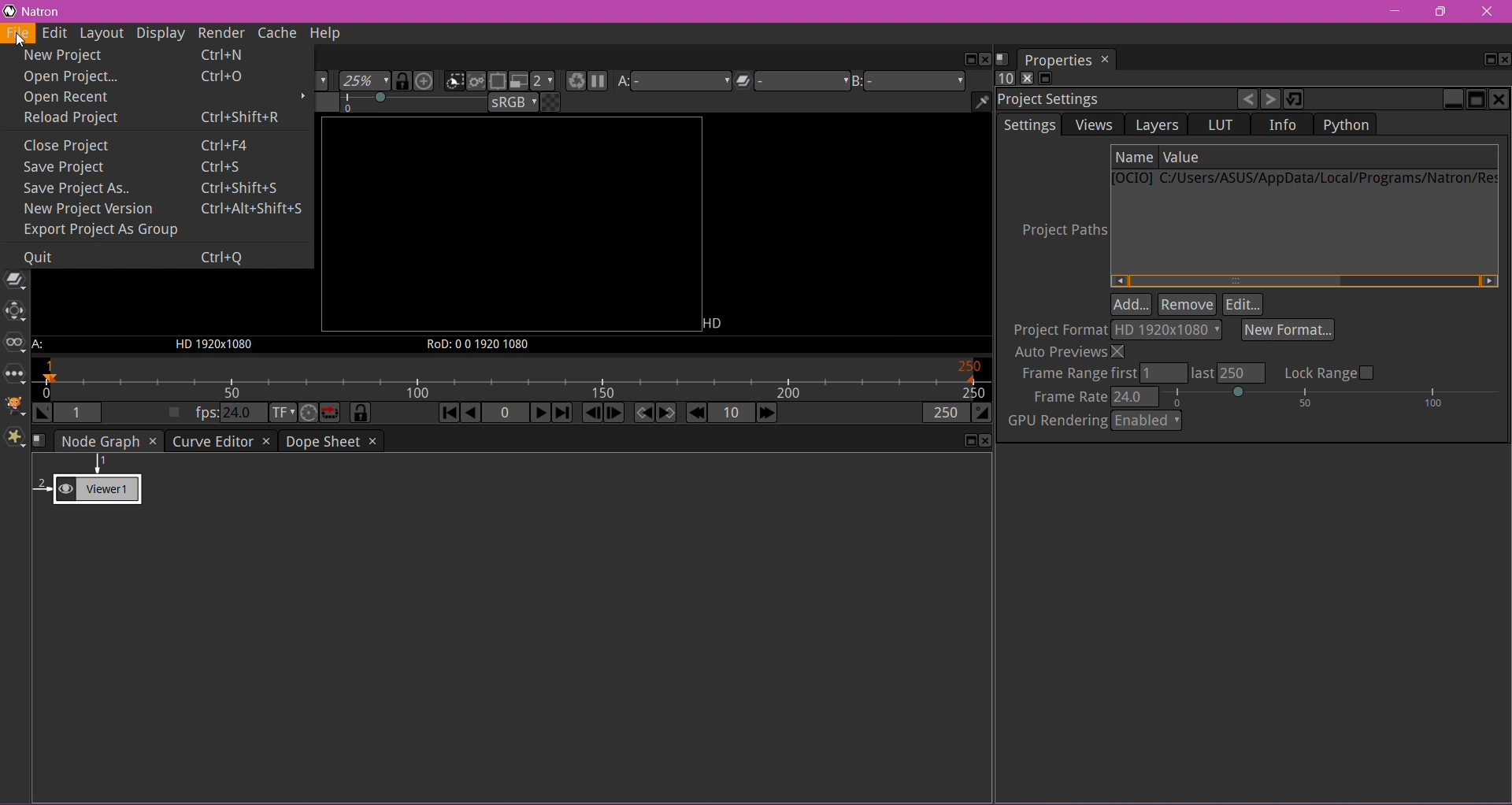 Image resolution: width=1512 pixels, height=805 pixels. What do you see at coordinates (767, 414) in the screenshot?
I see `Next Increment` at bounding box center [767, 414].